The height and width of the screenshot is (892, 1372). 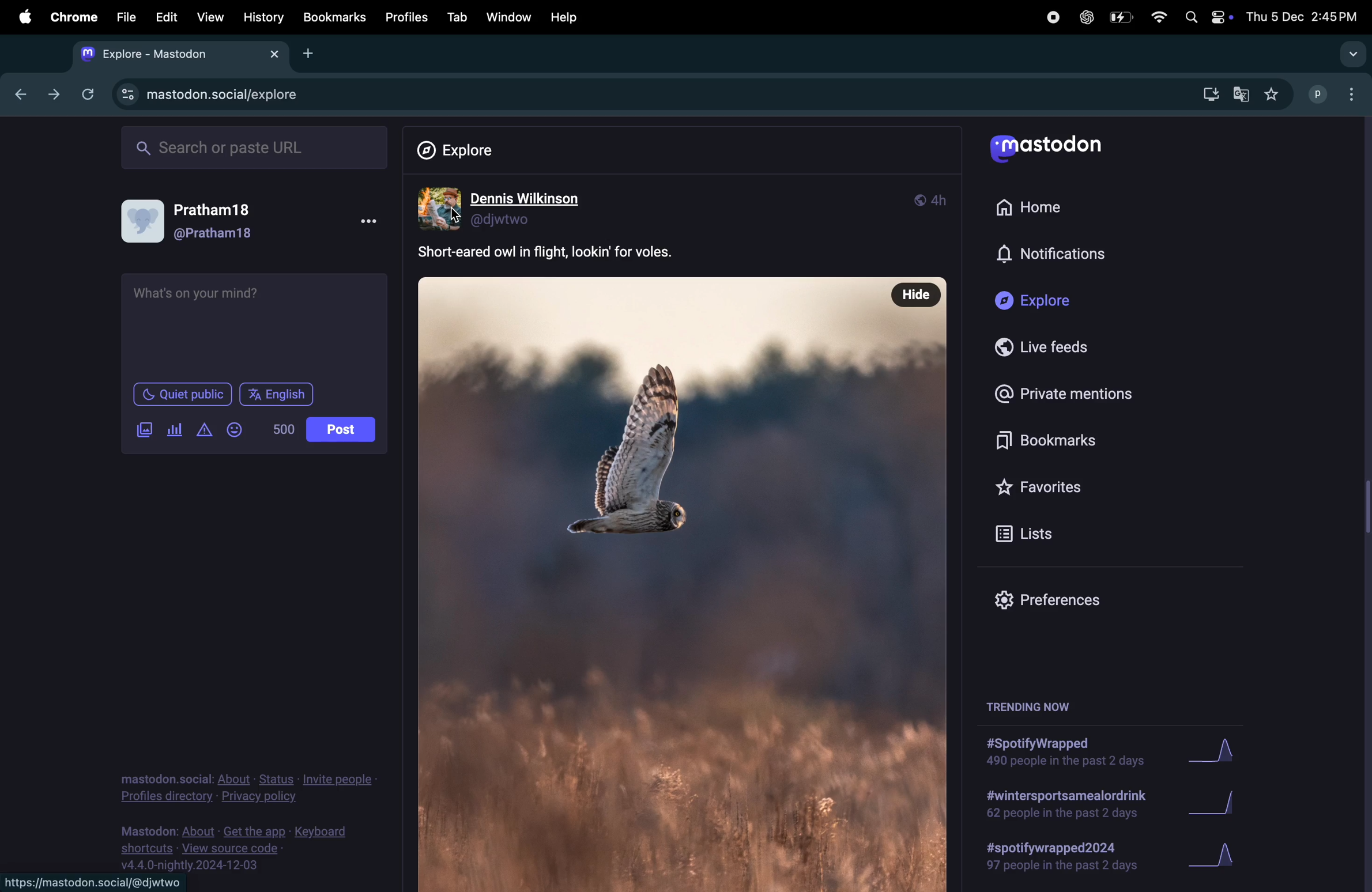 What do you see at coordinates (211, 17) in the screenshot?
I see `view` at bounding box center [211, 17].